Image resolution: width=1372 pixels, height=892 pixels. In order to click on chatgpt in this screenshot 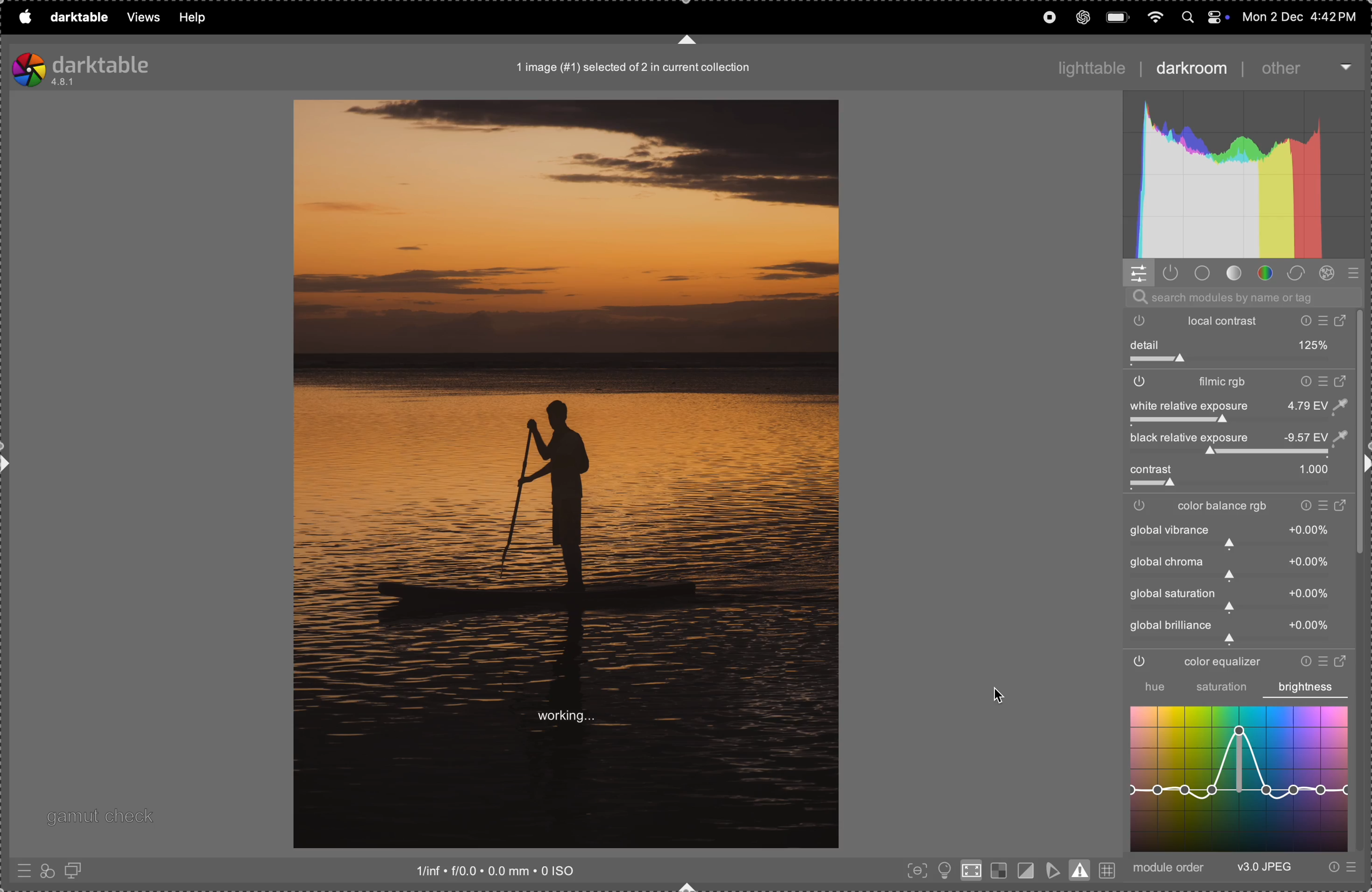, I will do `click(1083, 17)`.